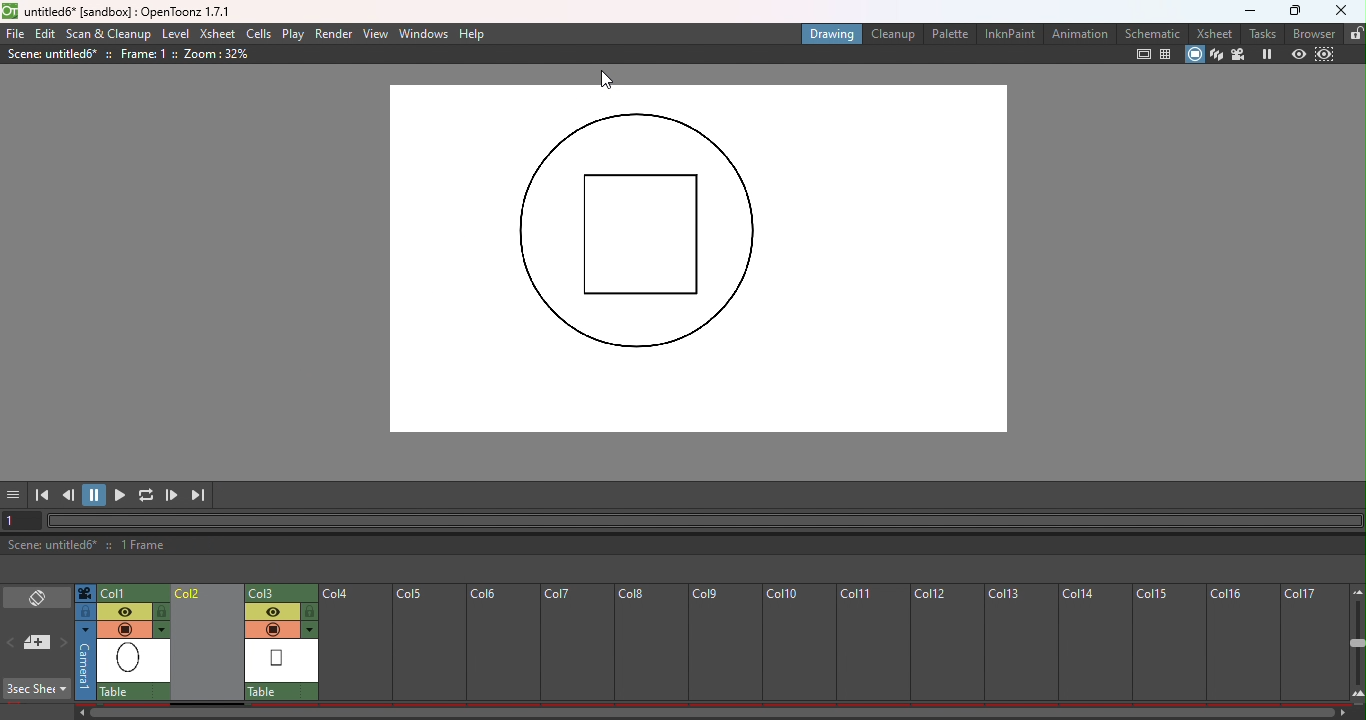 Image resolution: width=1366 pixels, height=720 pixels. What do you see at coordinates (1357, 644) in the screenshot?
I see `Zoom in/out` at bounding box center [1357, 644].